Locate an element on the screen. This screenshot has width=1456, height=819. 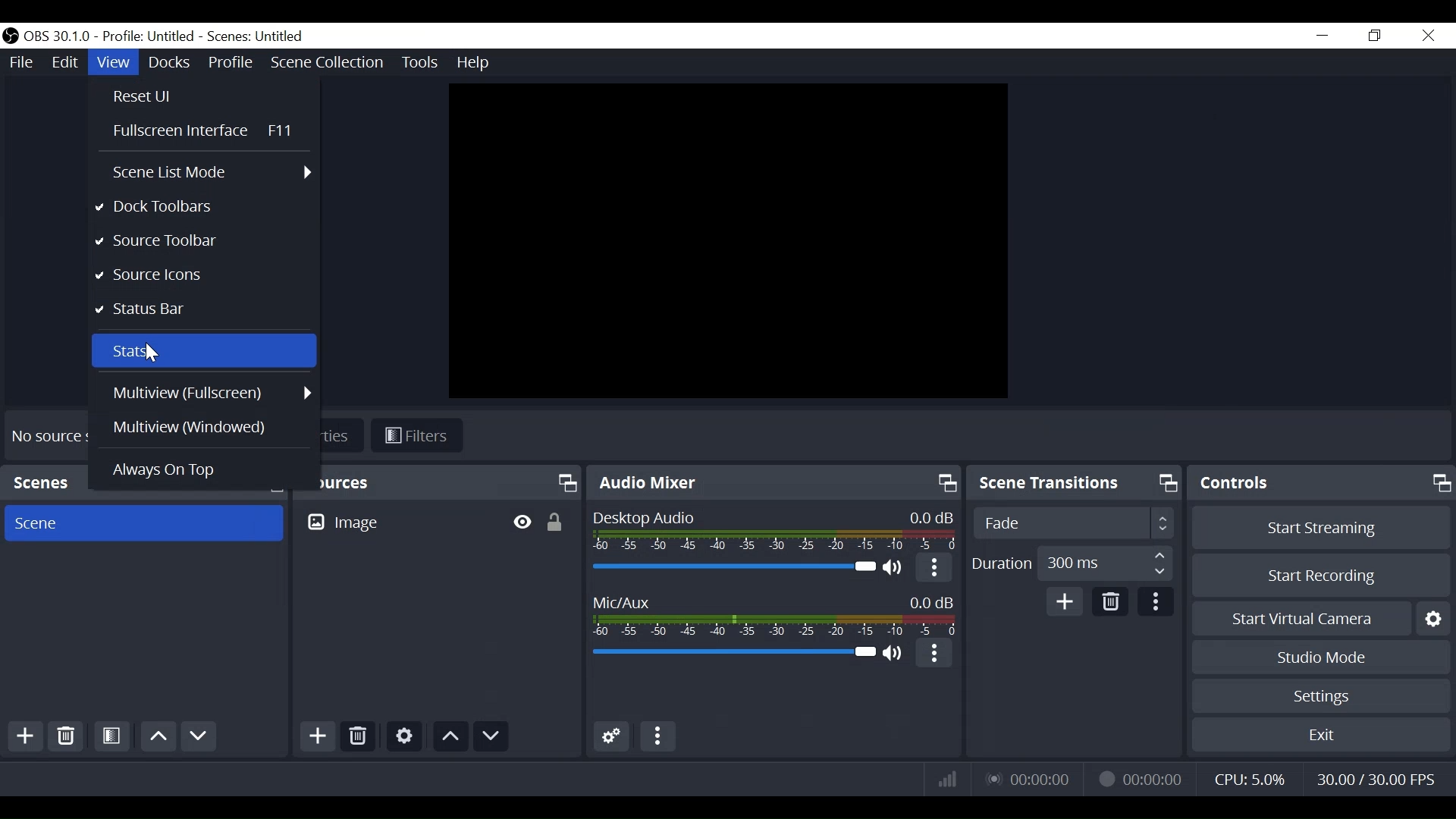
(un)mute is located at coordinates (894, 569).